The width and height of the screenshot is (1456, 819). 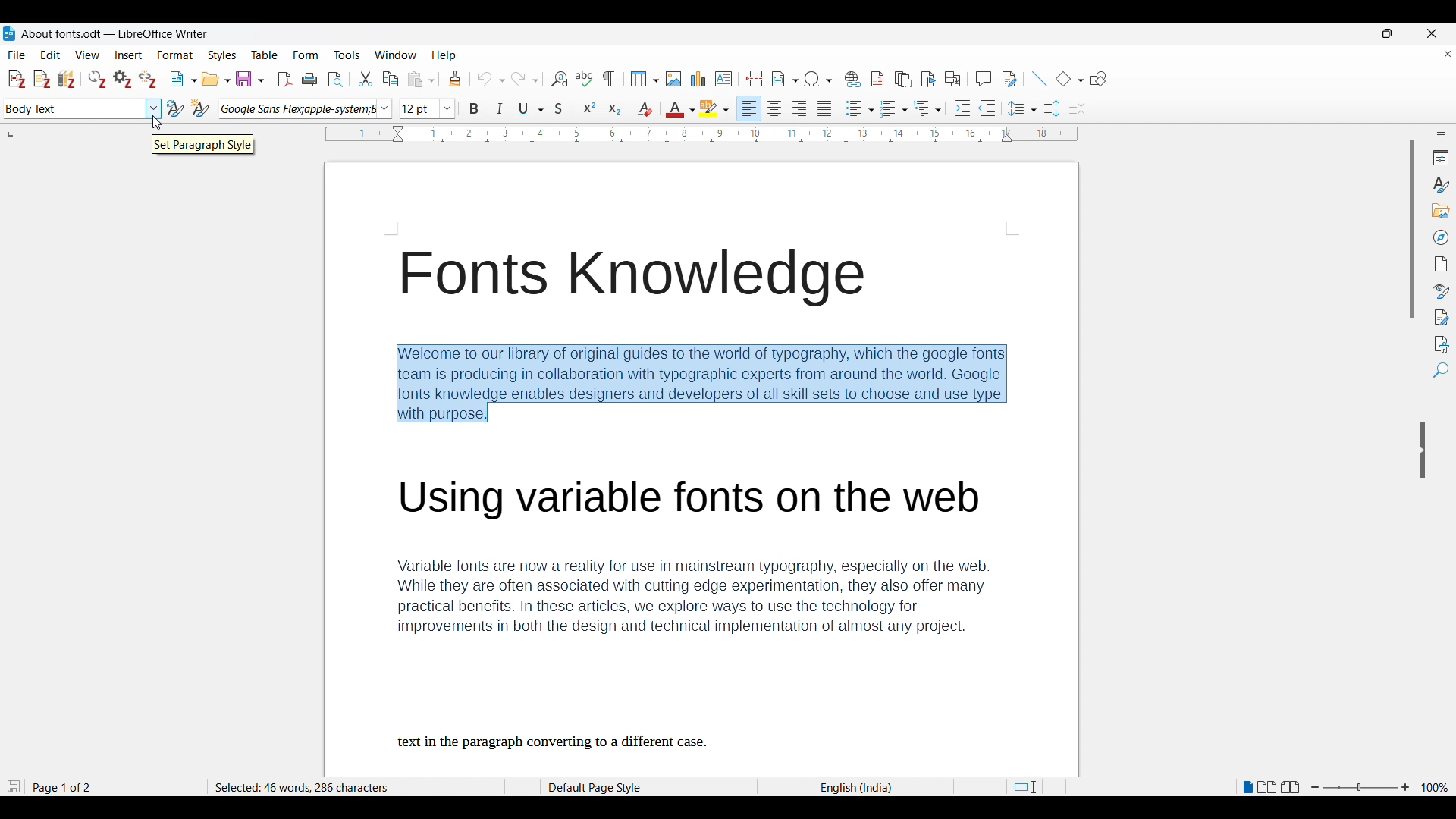 I want to click on Current zoom factor, so click(x=1436, y=787).